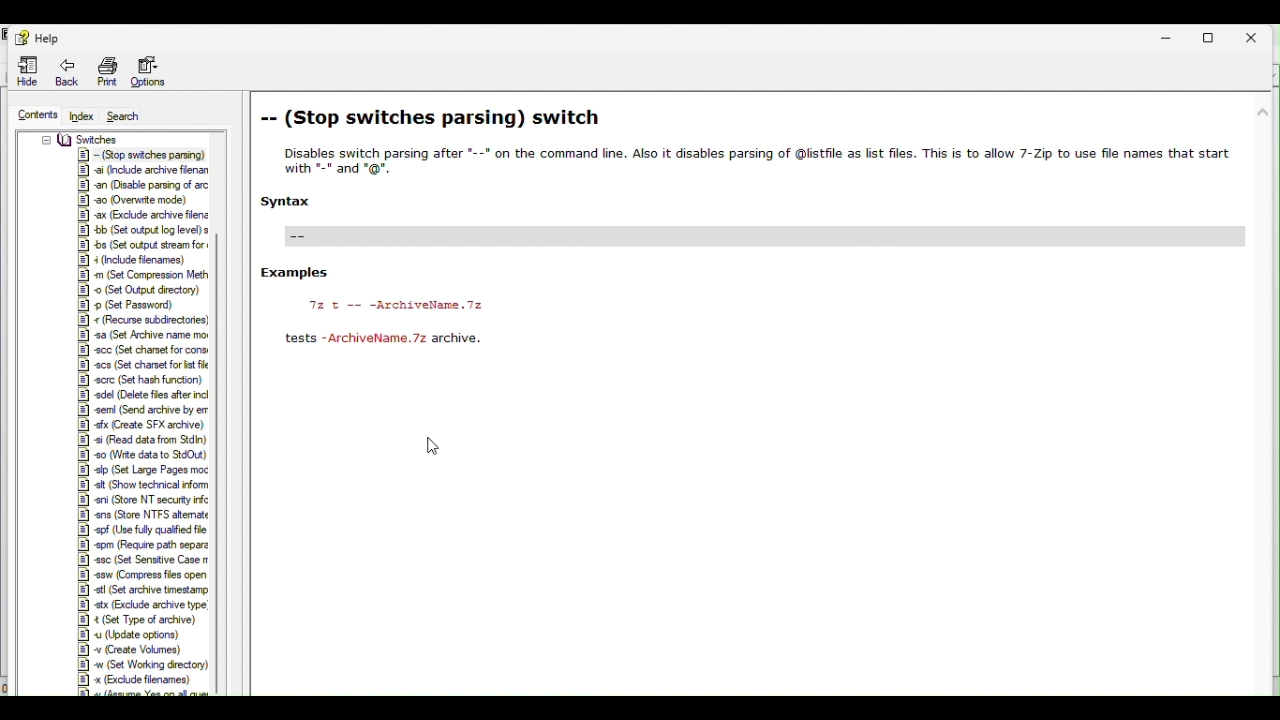  Describe the element at coordinates (145, 185) in the screenshot. I see `` at that location.